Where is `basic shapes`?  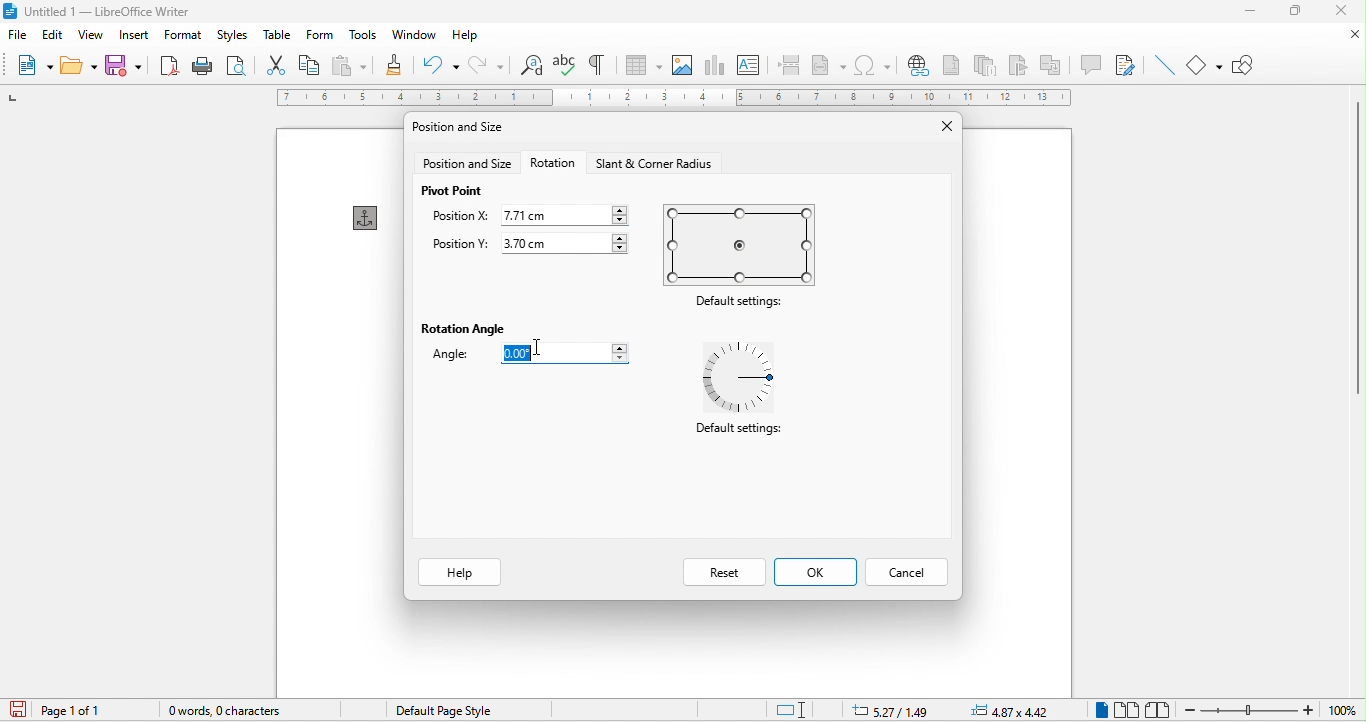 basic shapes is located at coordinates (1206, 64).